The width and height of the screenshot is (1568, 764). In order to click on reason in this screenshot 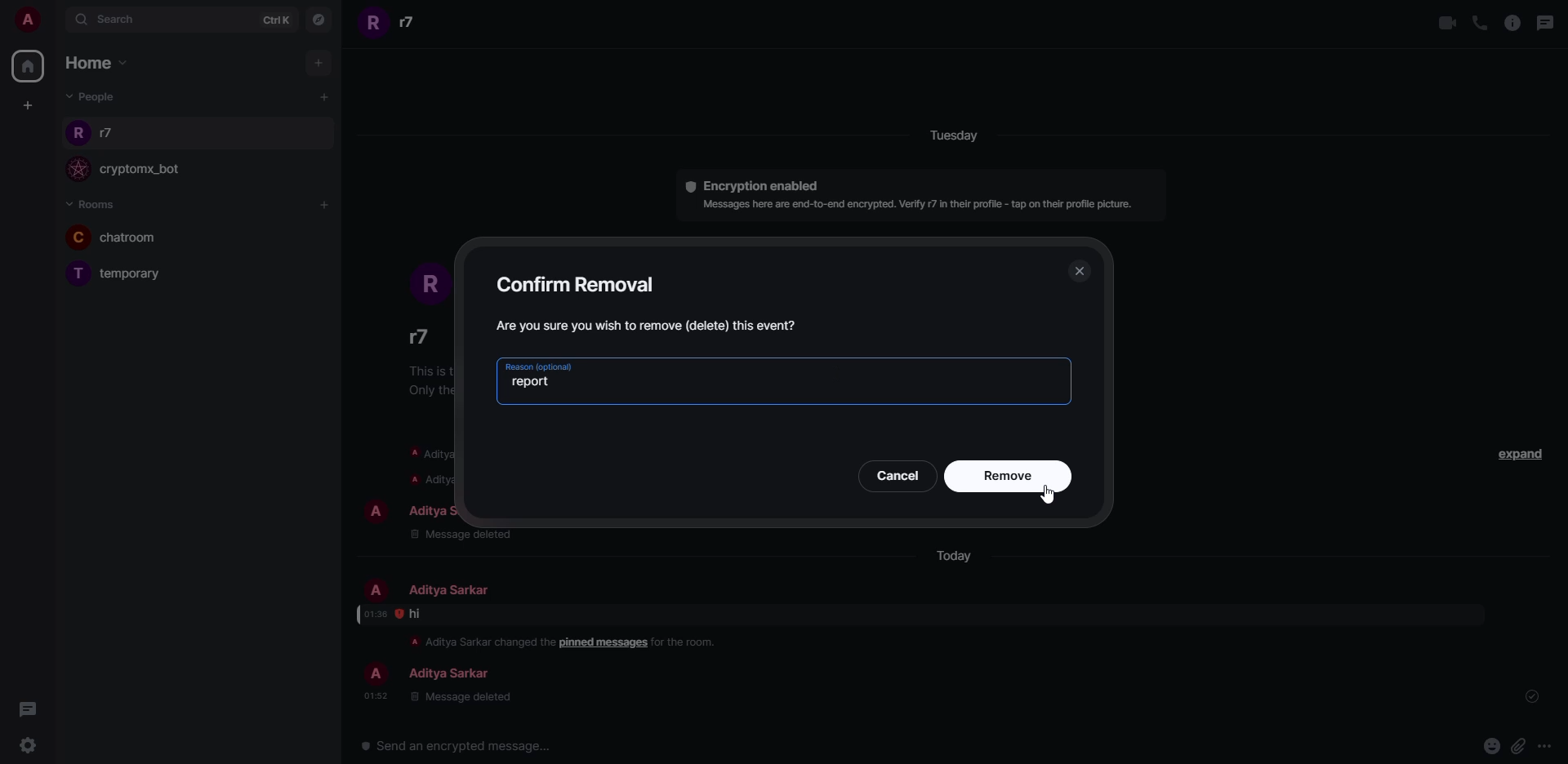, I will do `click(538, 366)`.